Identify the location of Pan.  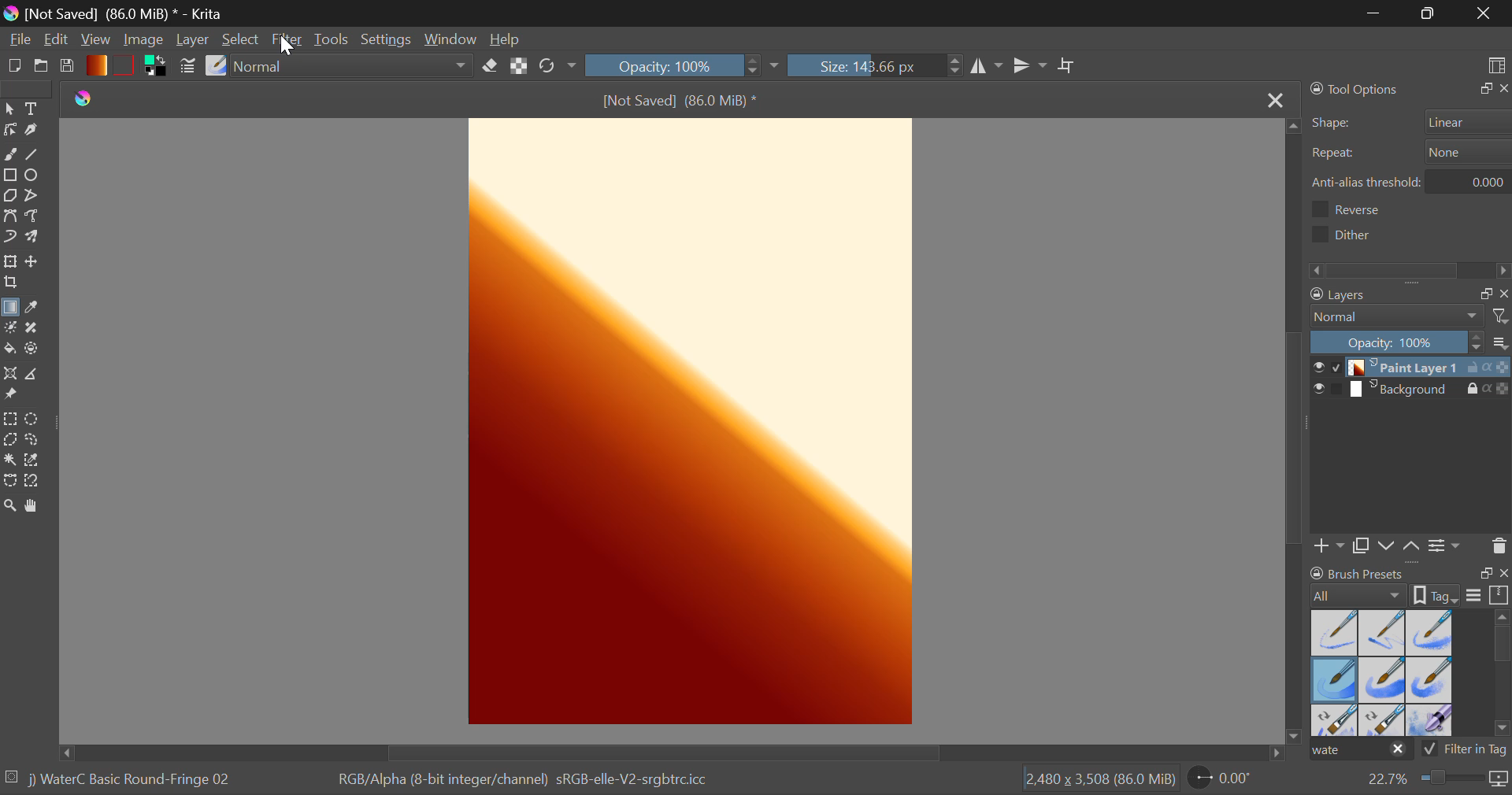
(37, 507).